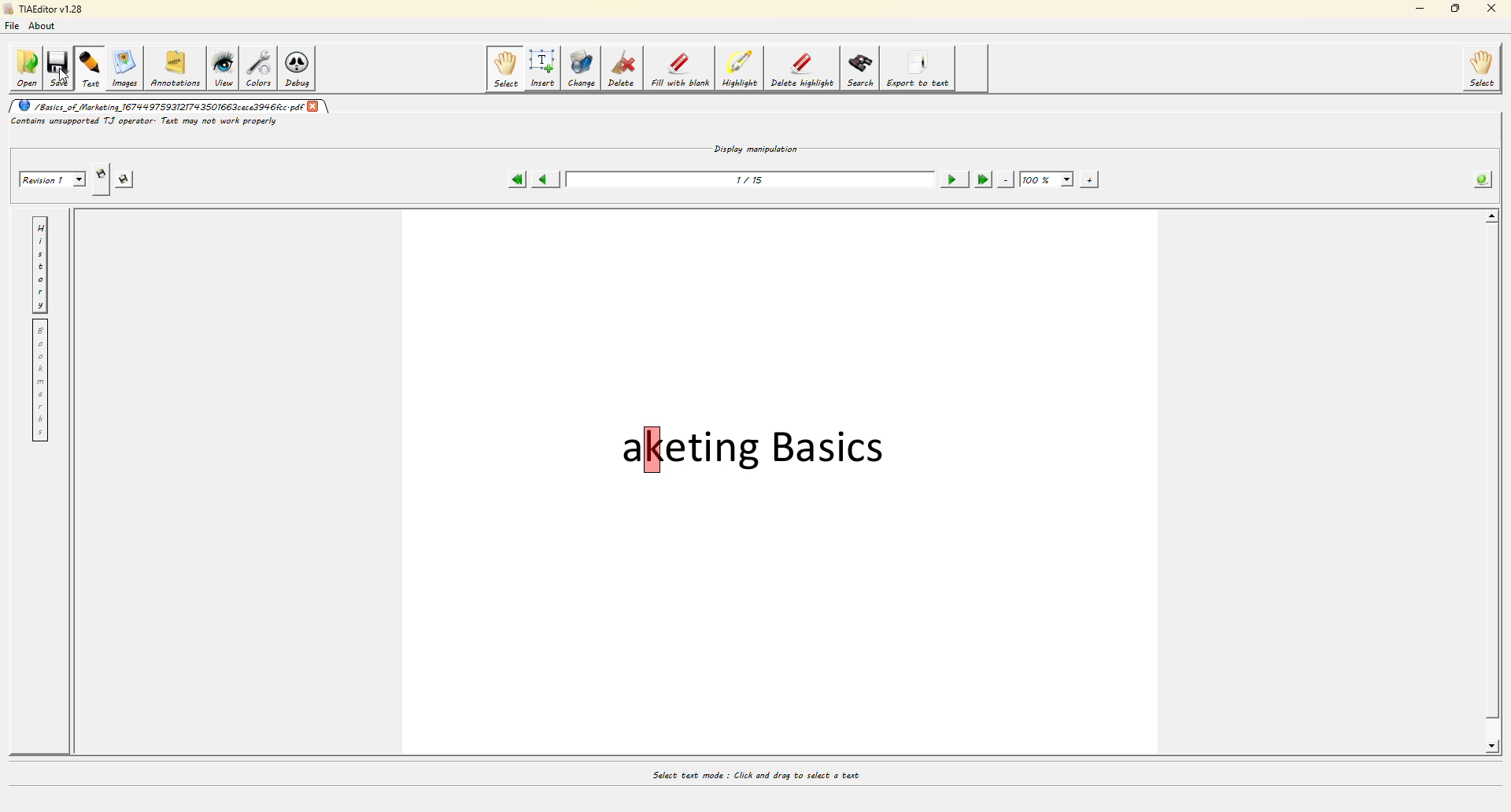 Image resolution: width=1511 pixels, height=812 pixels. What do you see at coordinates (146, 121) in the screenshot?
I see `Contains unsupported TJ operator Text may not work properly` at bounding box center [146, 121].